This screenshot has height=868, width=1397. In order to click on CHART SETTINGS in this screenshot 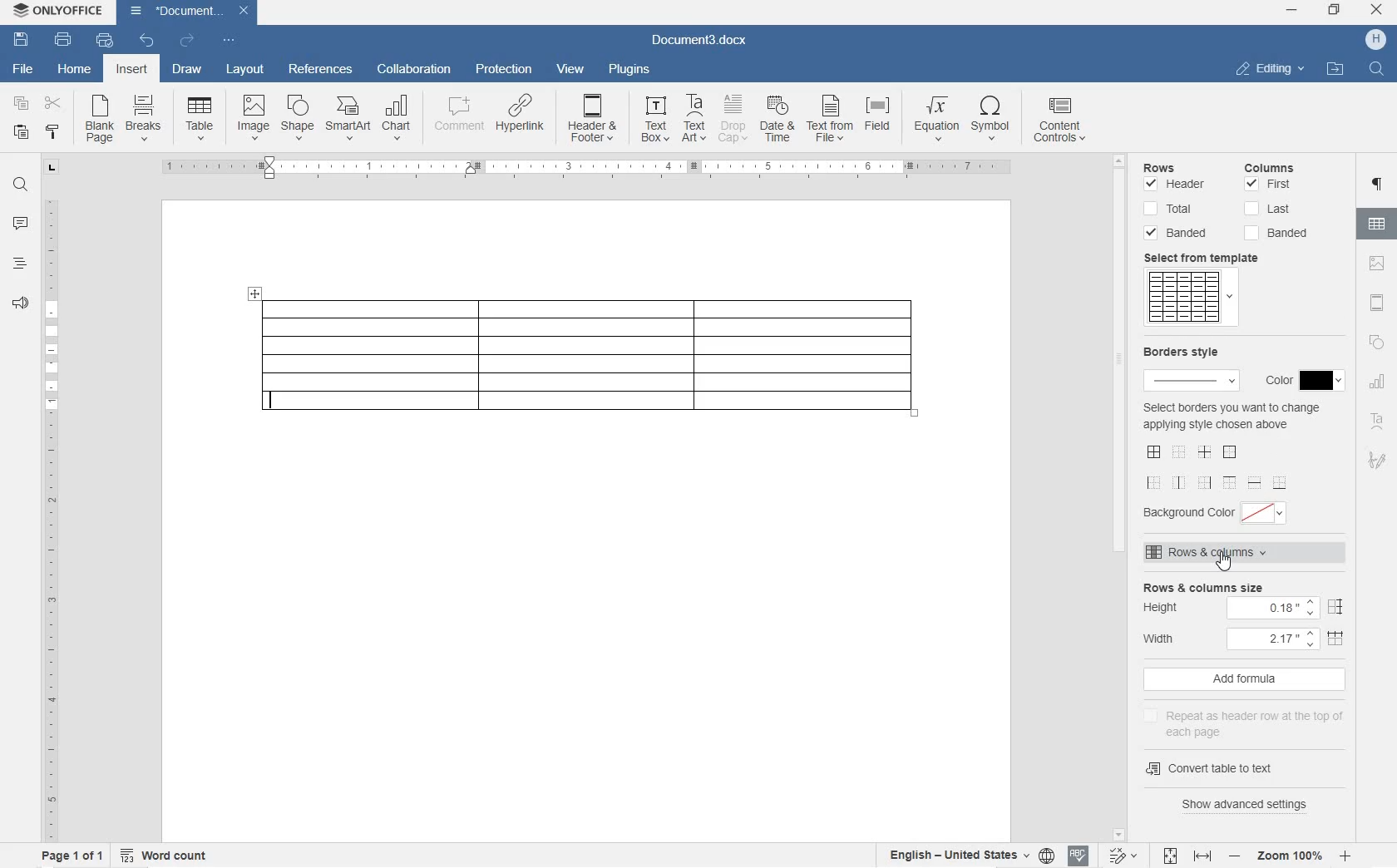, I will do `click(1377, 384)`.